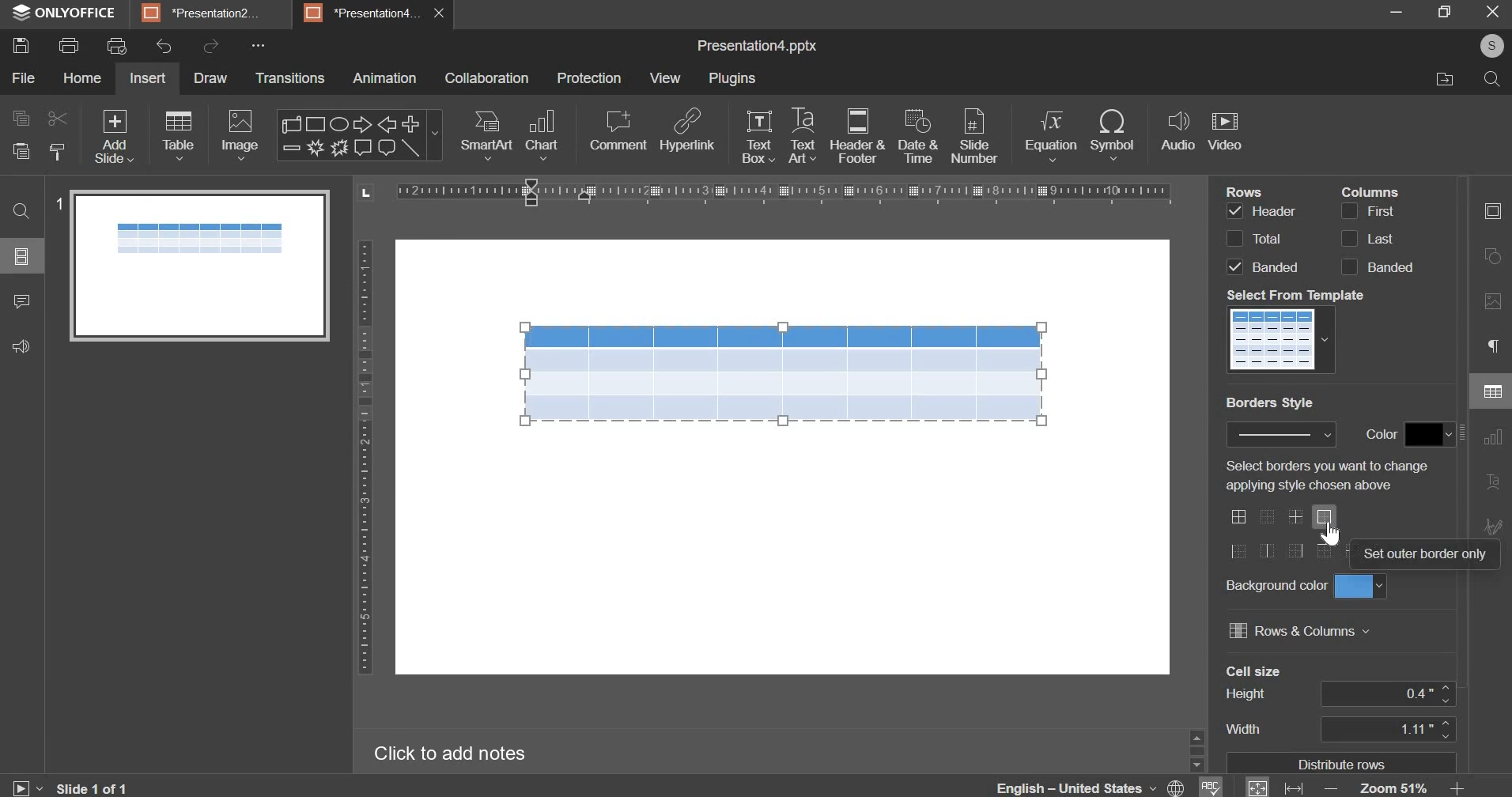  Describe the element at coordinates (1410, 434) in the screenshot. I see `color ` at that location.